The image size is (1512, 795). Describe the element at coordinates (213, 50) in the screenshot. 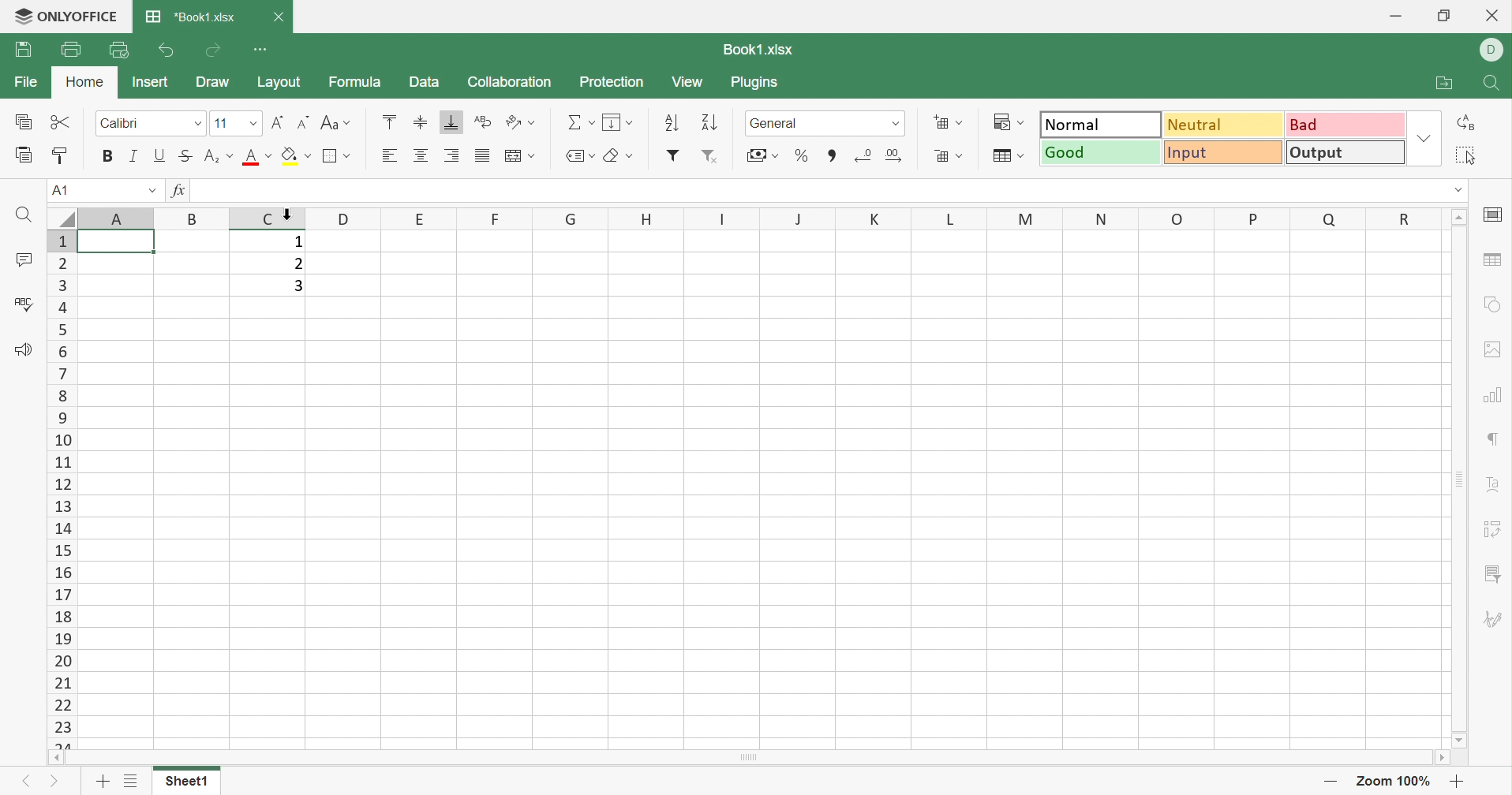

I see `Redo` at that location.